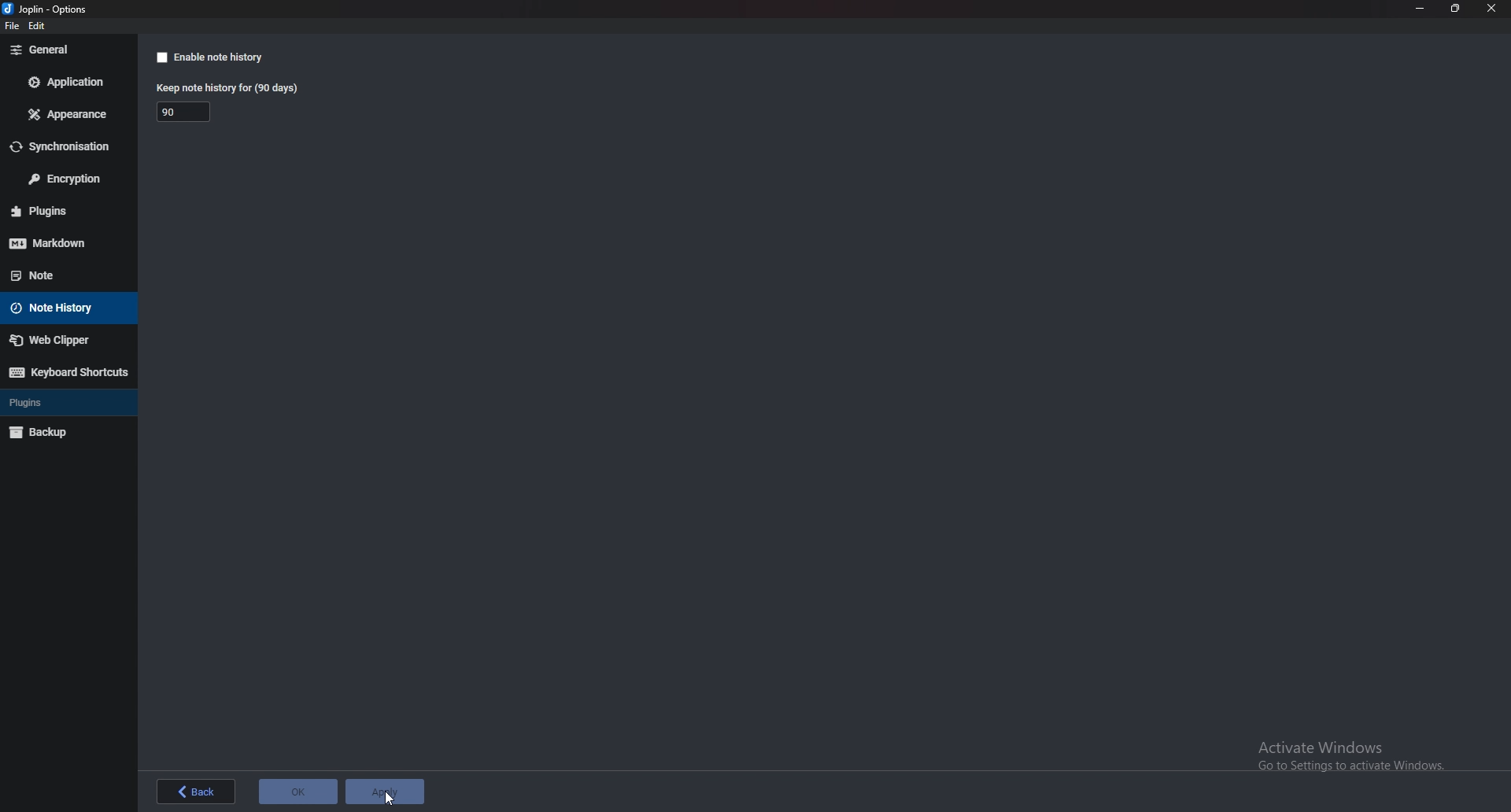 This screenshot has height=812, width=1511. Describe the element at coordinates (65, 210) in the screenshot. I see `Plugins` at that location.